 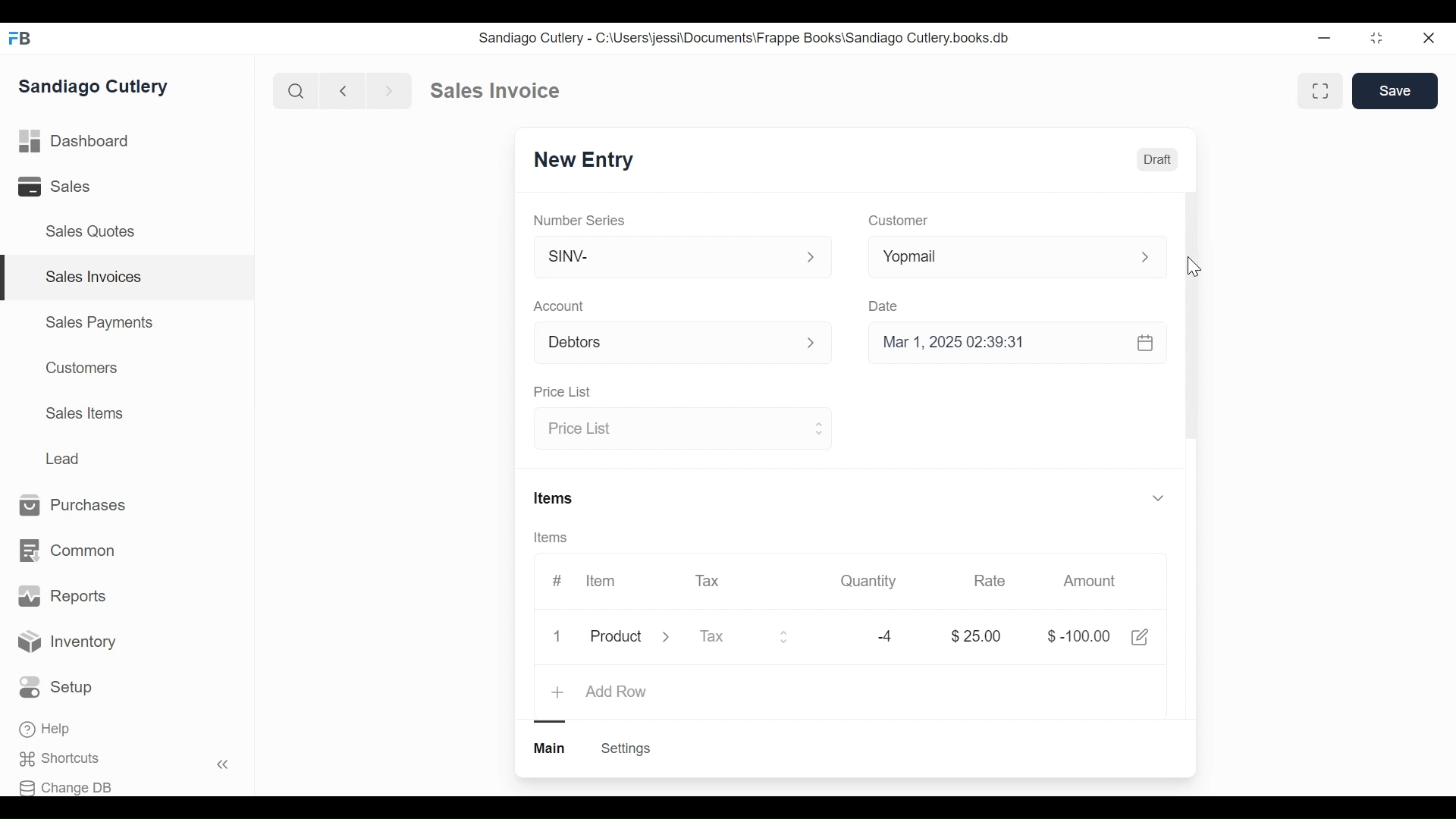 I want to click on Rate, so click(x=990, y=580).